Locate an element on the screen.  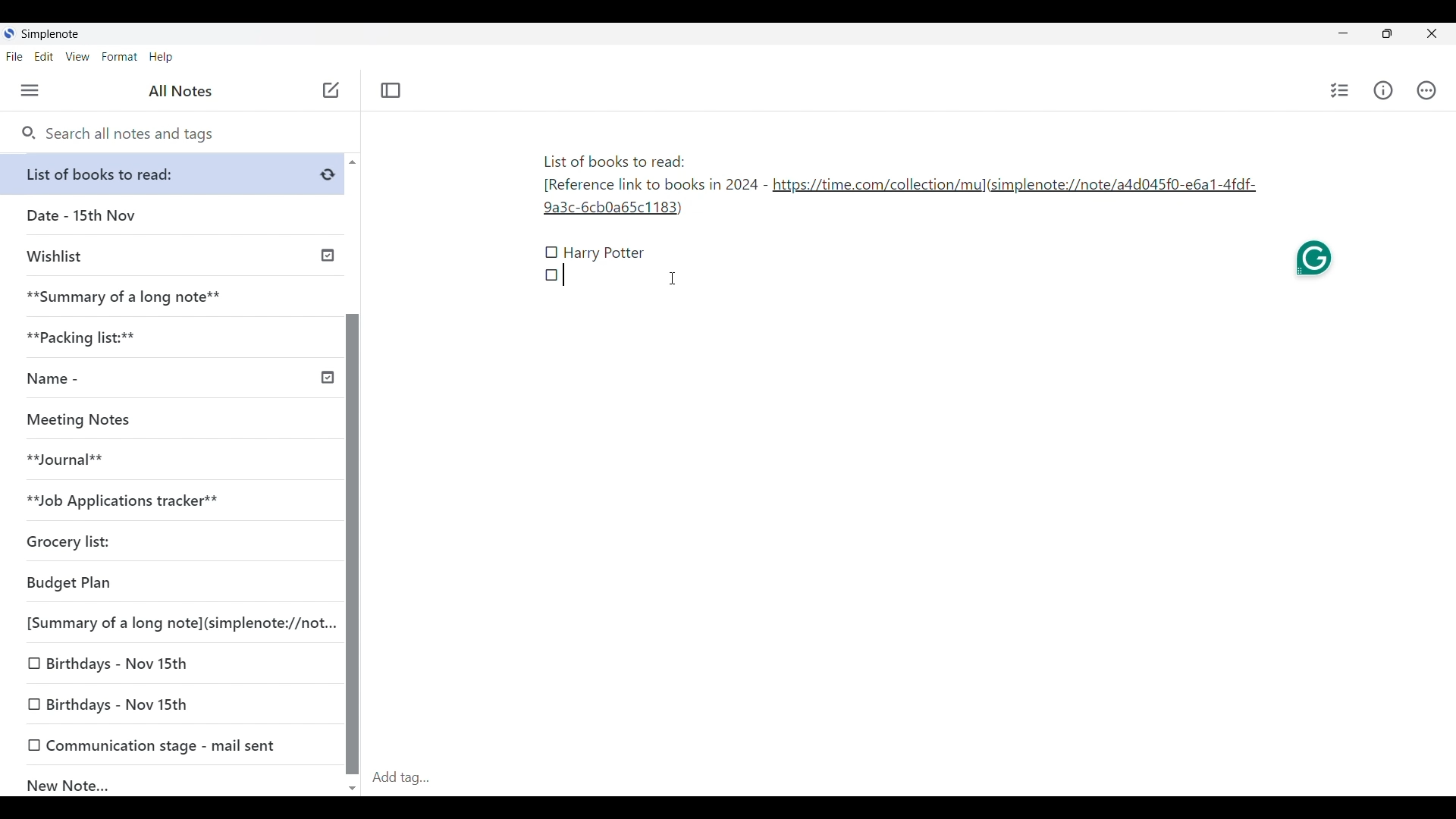
Toggle focus mode is located at coordinates (391, 90).